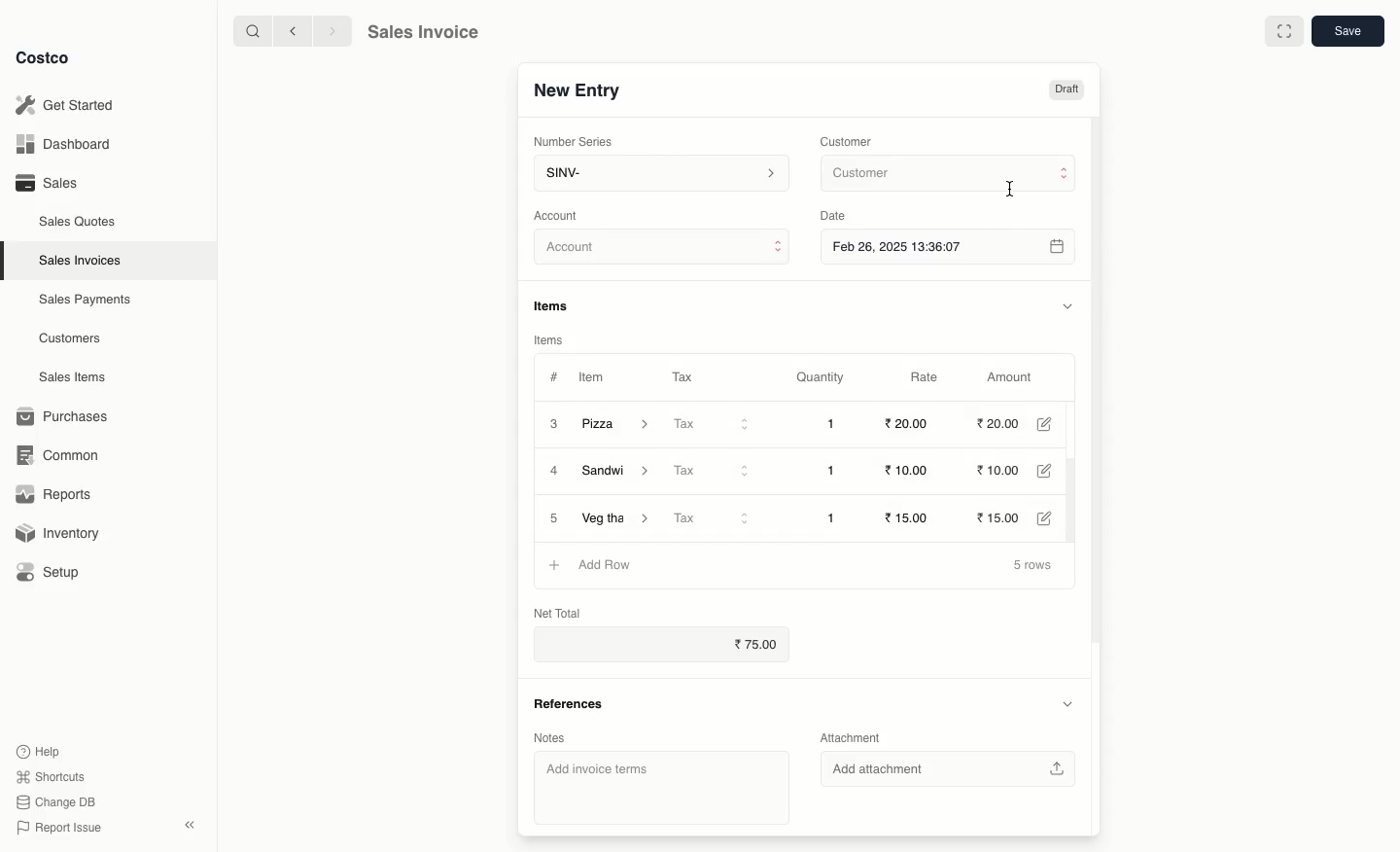 The image size is (1400, 852). Describe the element at coordinates (555, 563) in the screenshot. I see `Add` at that location.